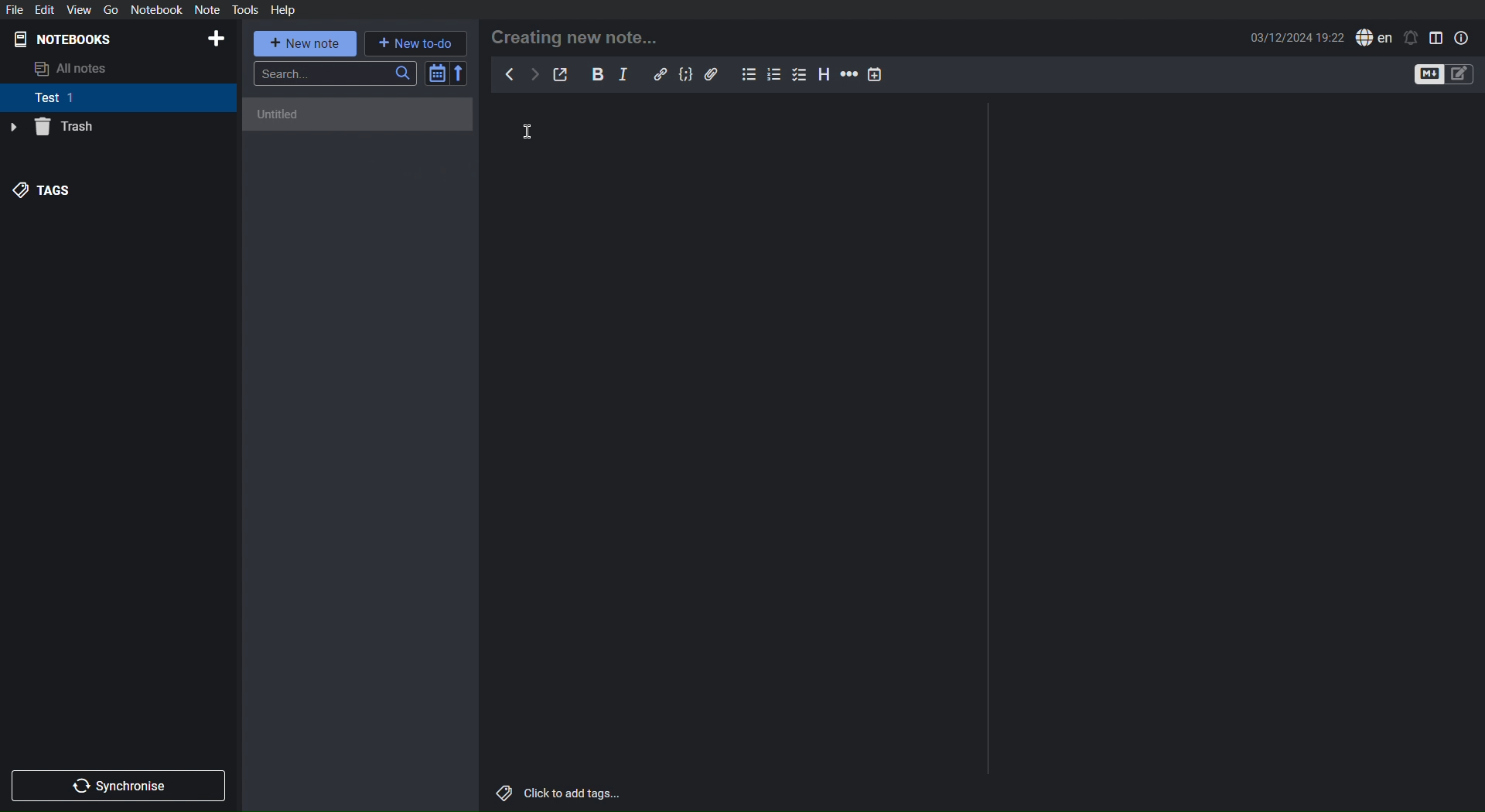 This screenshot has height=812, width=1485. Describe the element at coordinates (156, 10) in the screenshot. I see `Notebook` at that location.